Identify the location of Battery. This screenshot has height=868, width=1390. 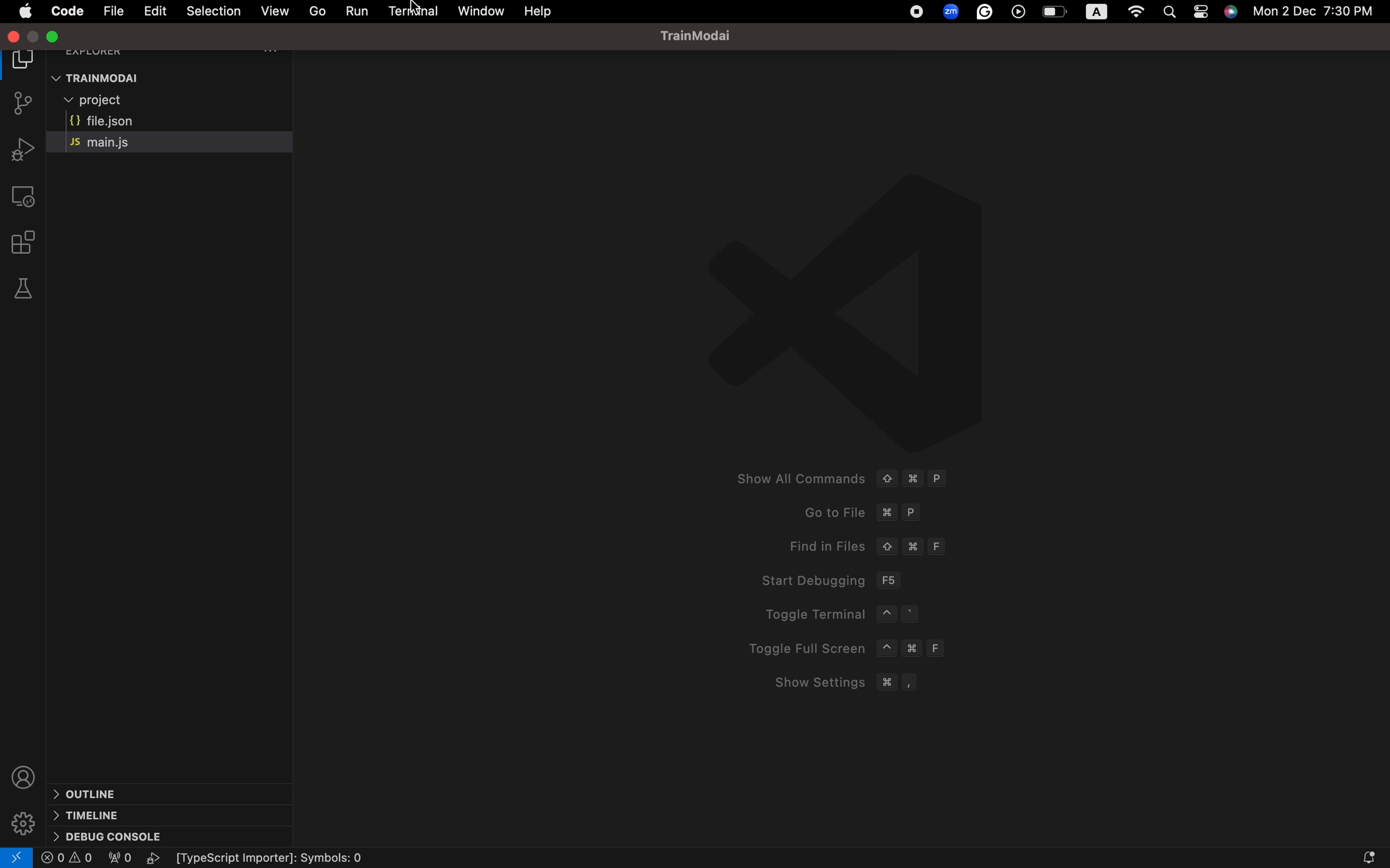
(1055, 13).